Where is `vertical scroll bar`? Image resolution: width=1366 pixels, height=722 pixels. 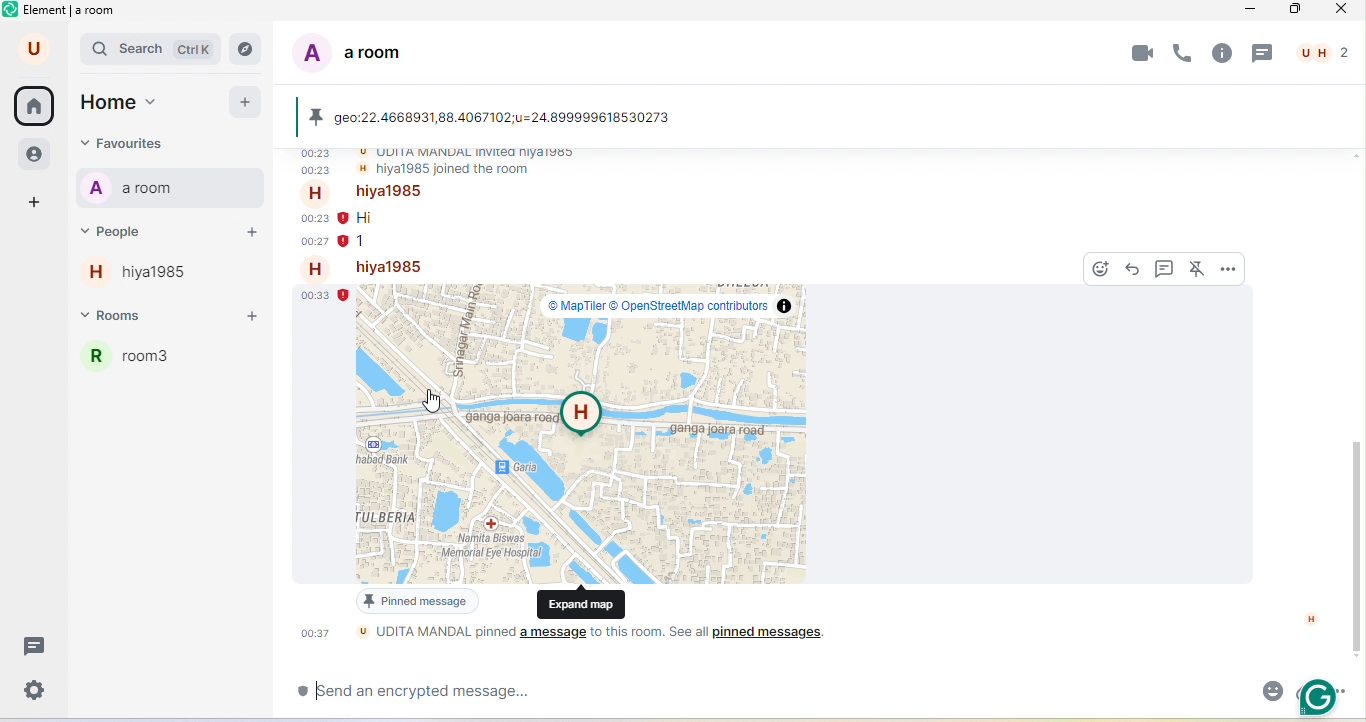 vertical scroll bar is located at coordinates (1353, 539).